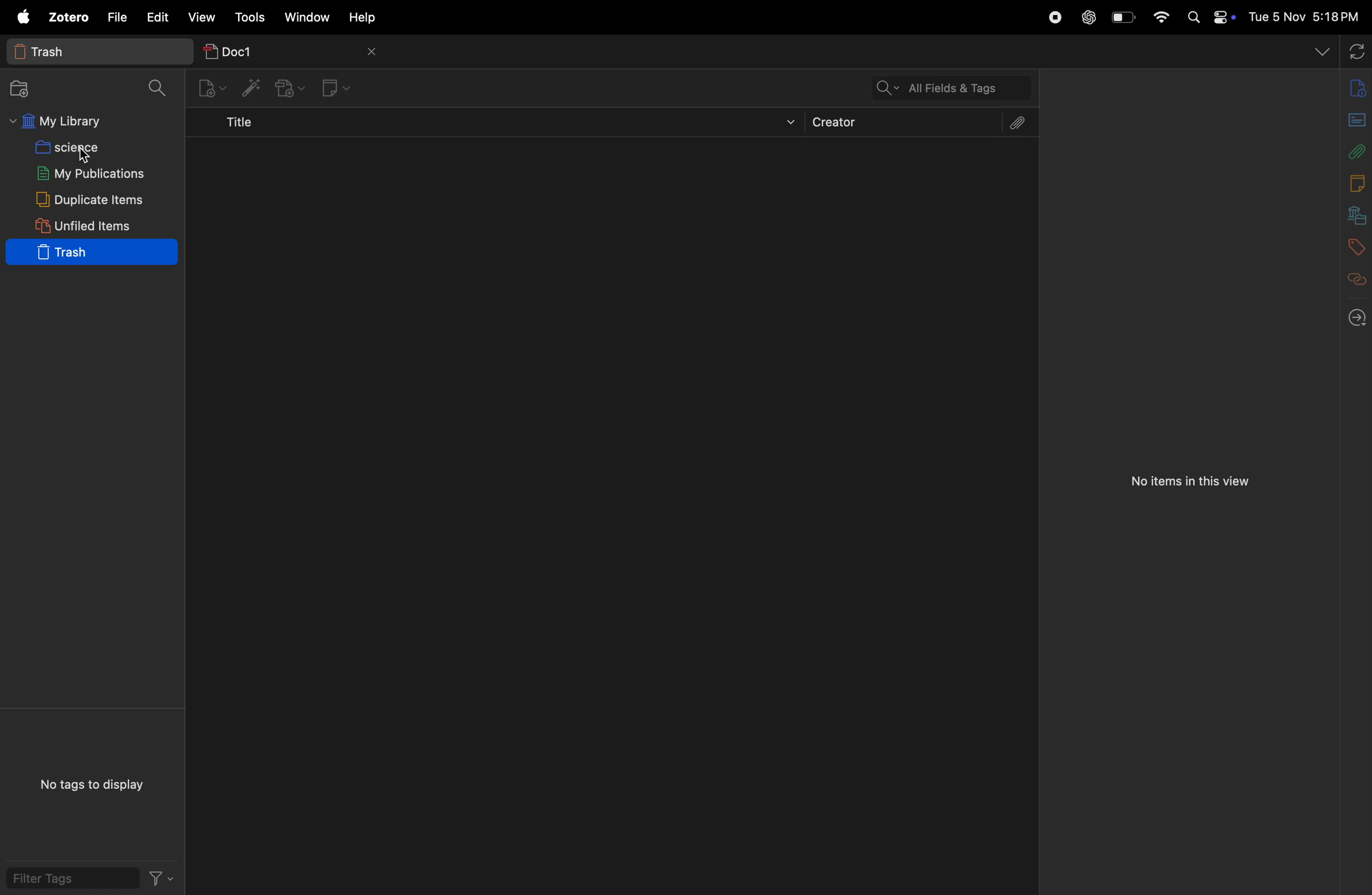  I want to click on Calendar, so click(1348, 183).